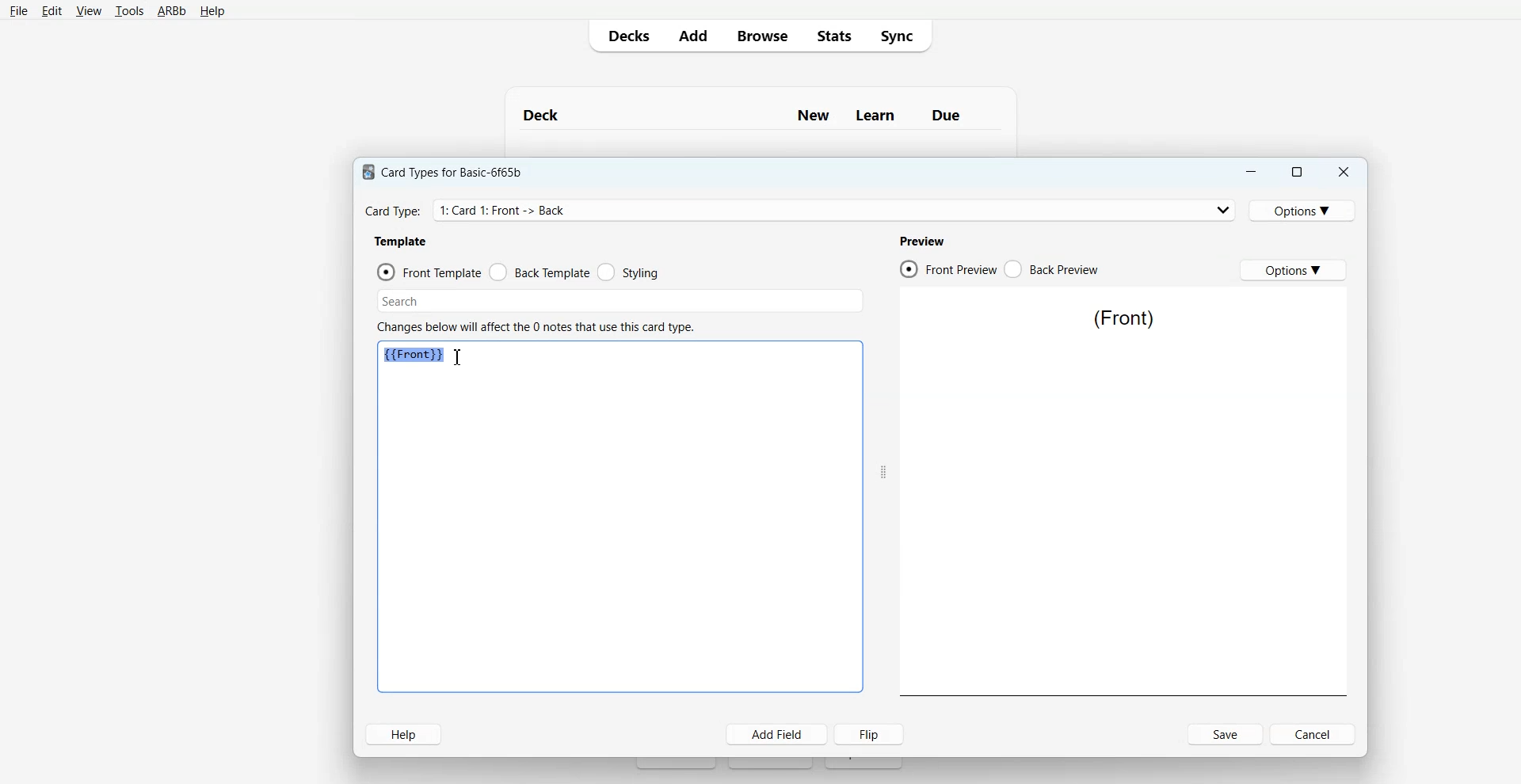  Describe the element at coordinates (777, 734) in the screenshot. I see `Add Field` at that location.